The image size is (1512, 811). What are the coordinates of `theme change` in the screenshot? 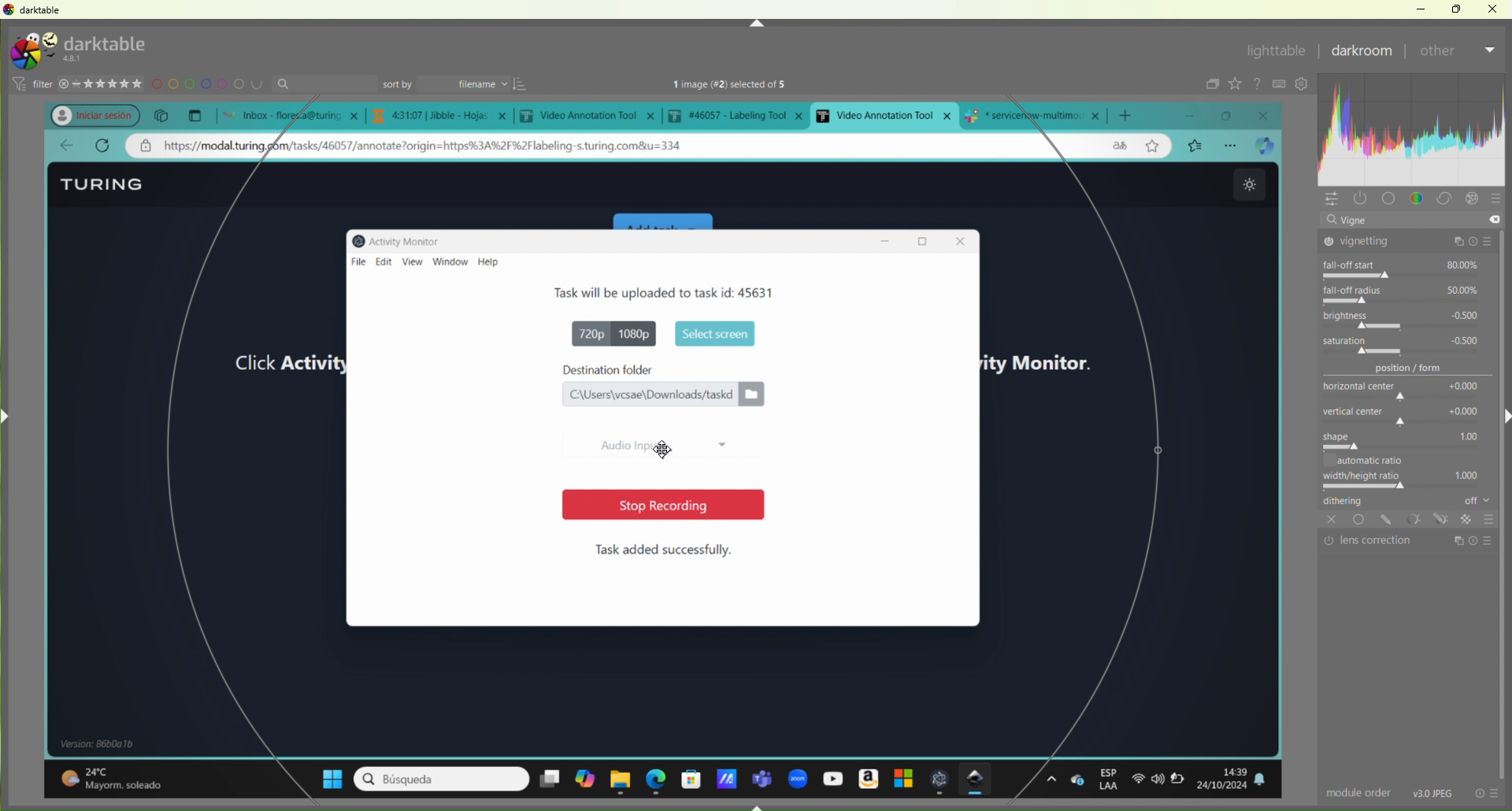 It's located at (1247, 185).